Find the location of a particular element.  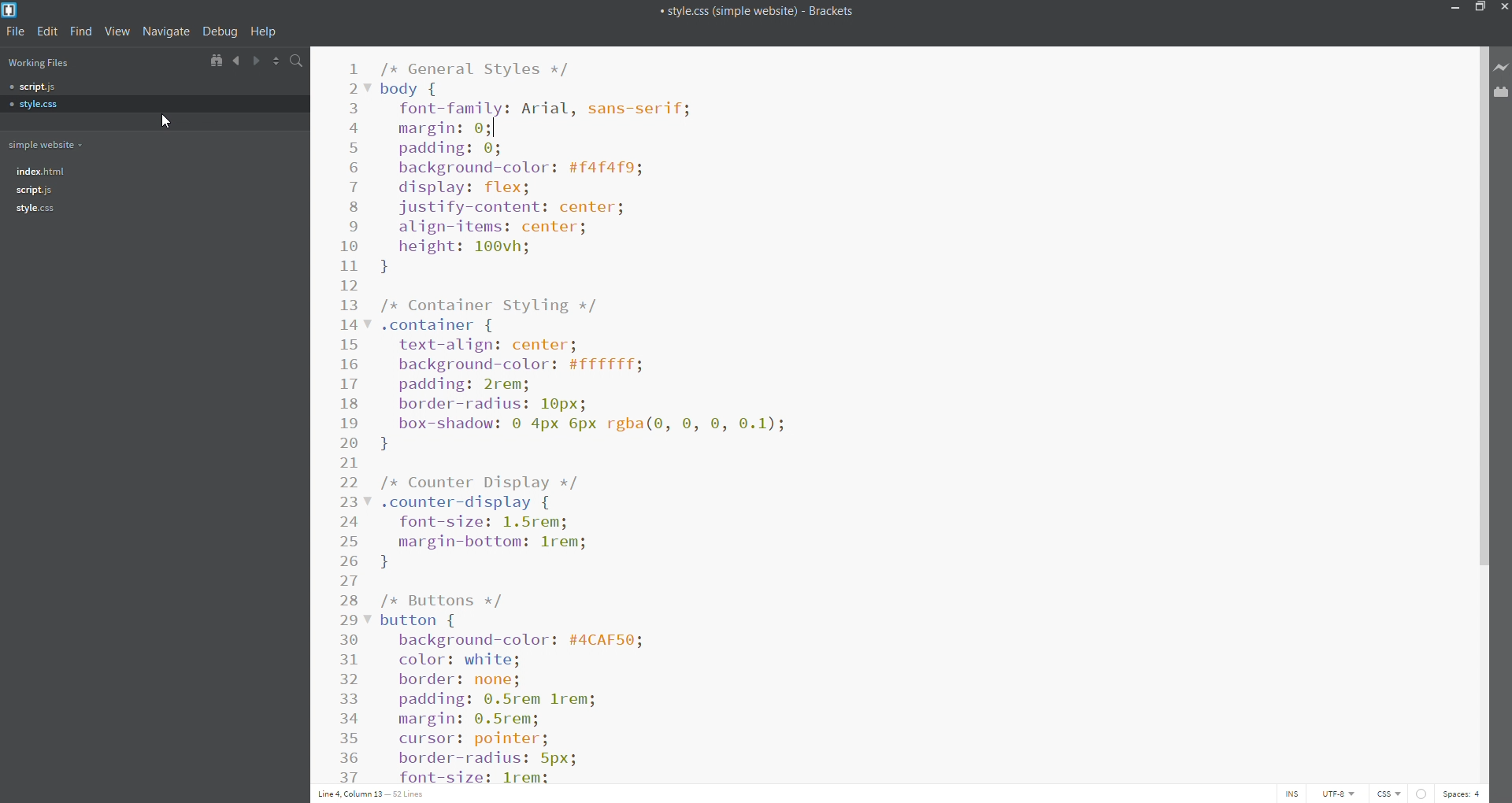

split view is located at coordinates (277, 61).